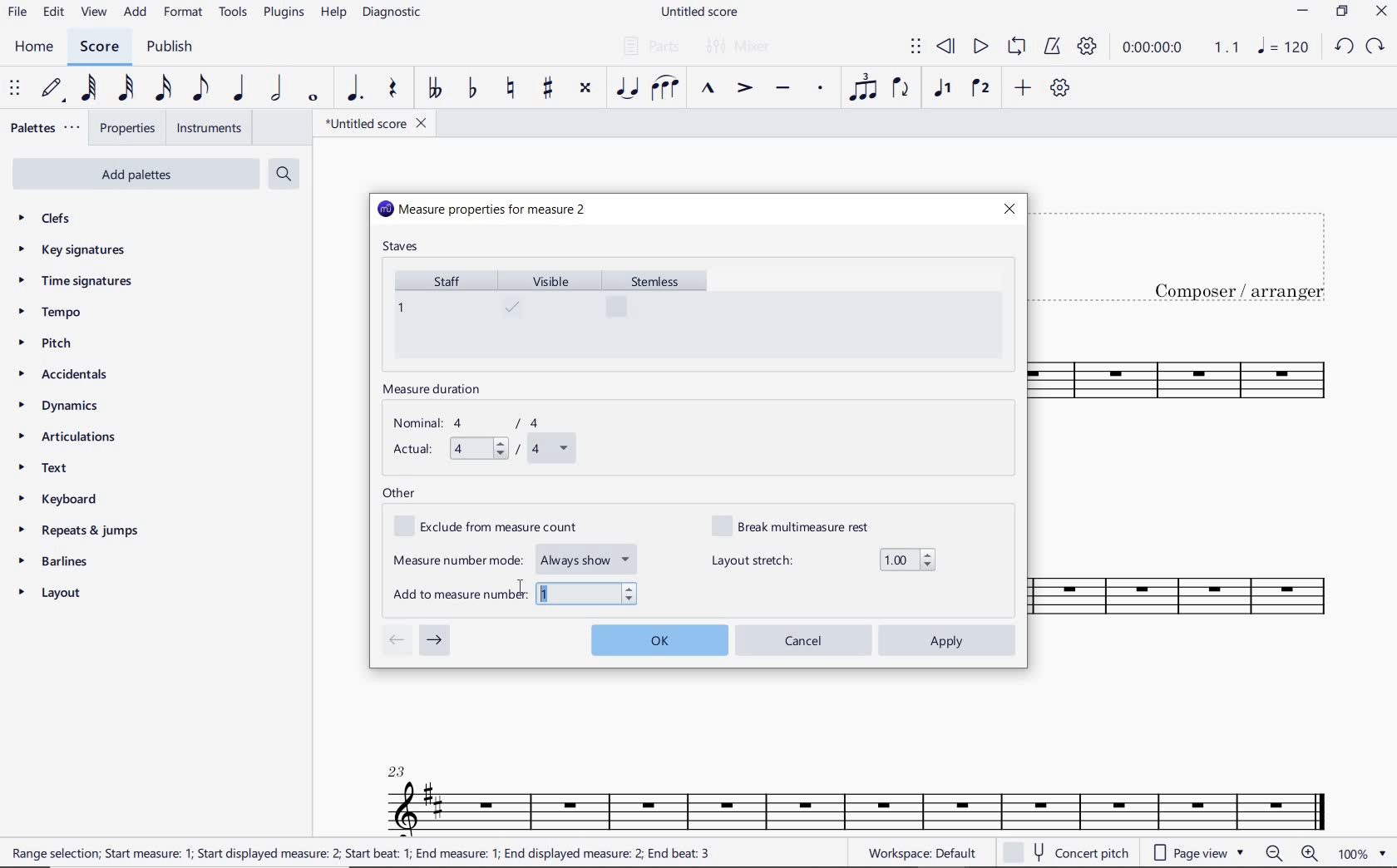  What do you see at coordinates (286, 175) in the screenshot?
I see `SEARCH PALETTES` at bounding box center [286, 175].